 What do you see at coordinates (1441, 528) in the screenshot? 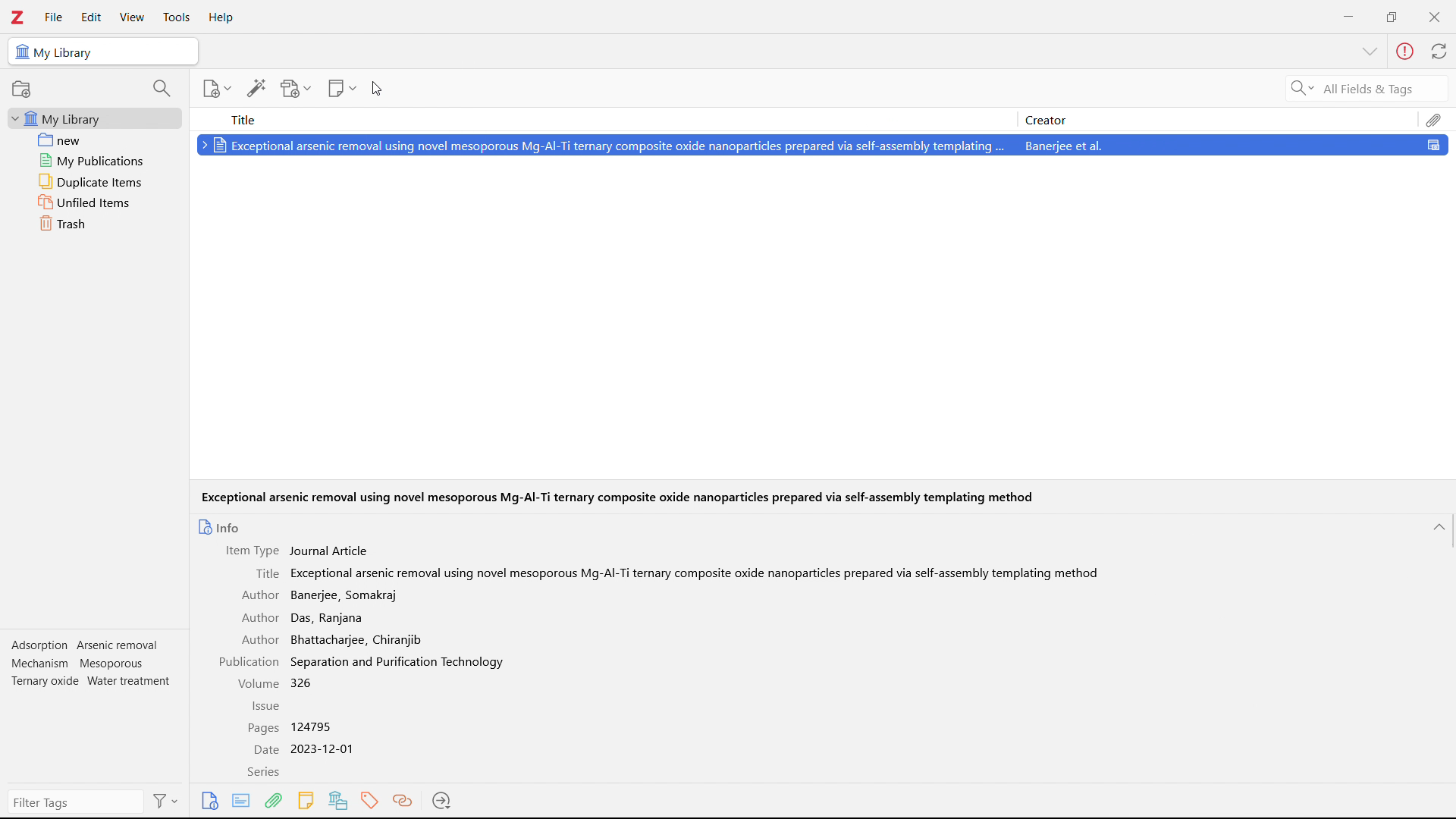
I see `collapse info` at bounding box center [1441, 528].